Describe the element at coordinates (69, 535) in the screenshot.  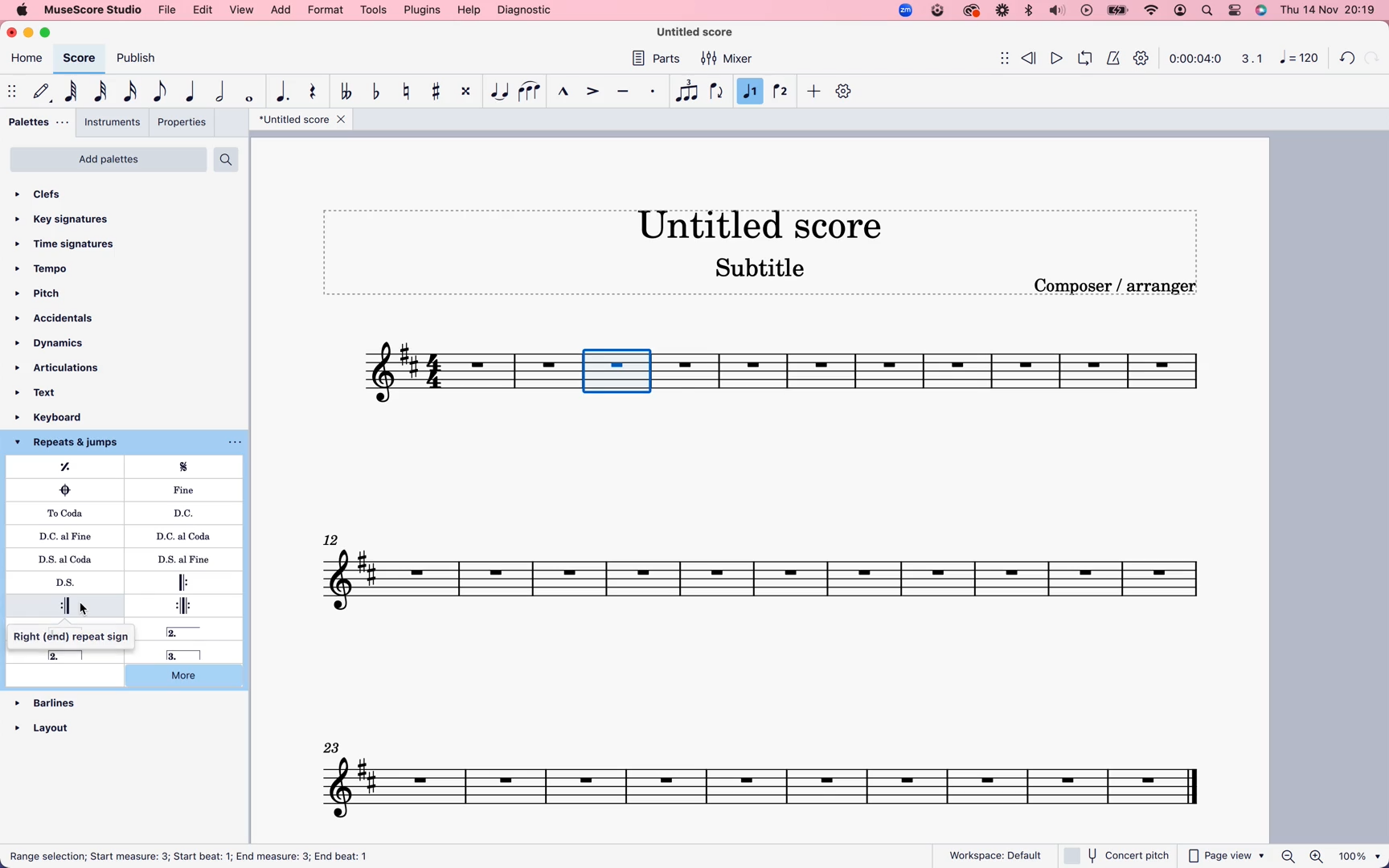
I see `d.c al fine` at that location.